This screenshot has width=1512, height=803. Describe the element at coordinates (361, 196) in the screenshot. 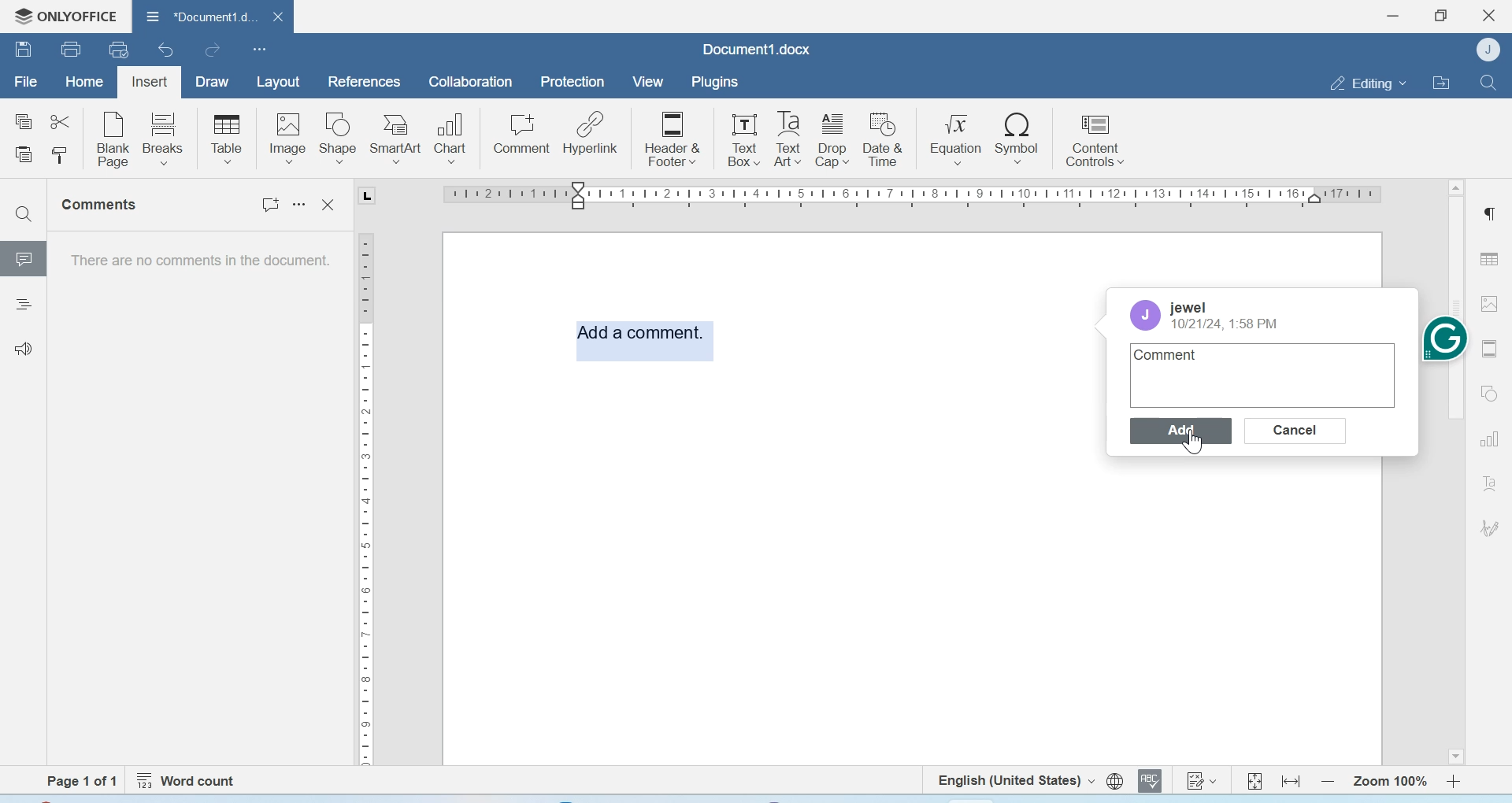

I see `tab stop` at that location.